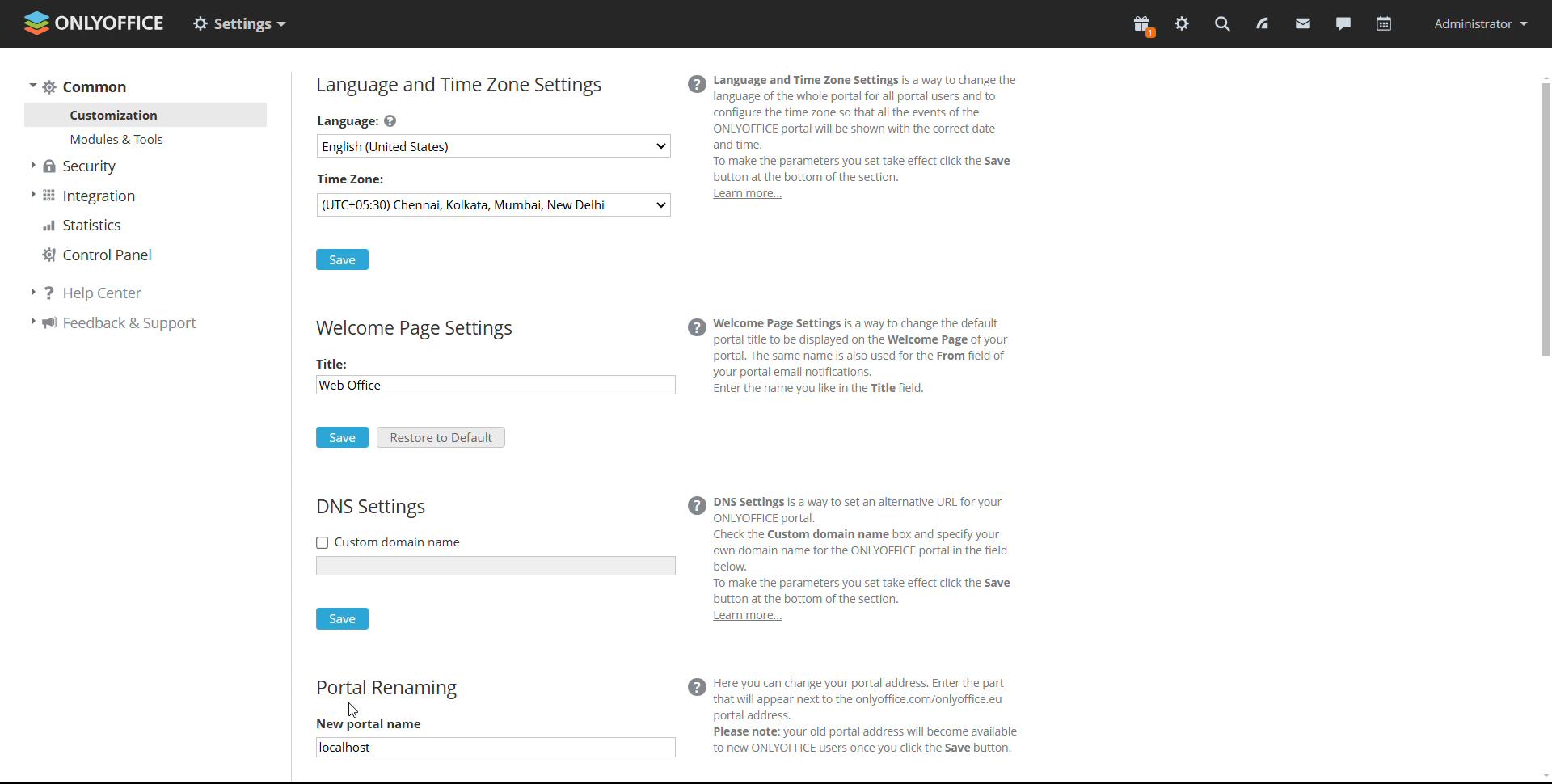 The image size is (1552, 784). What do you see at coordinates (458, 86) in the screenshot?
I see `language and timezone settings` at bounding box center [458, 86].